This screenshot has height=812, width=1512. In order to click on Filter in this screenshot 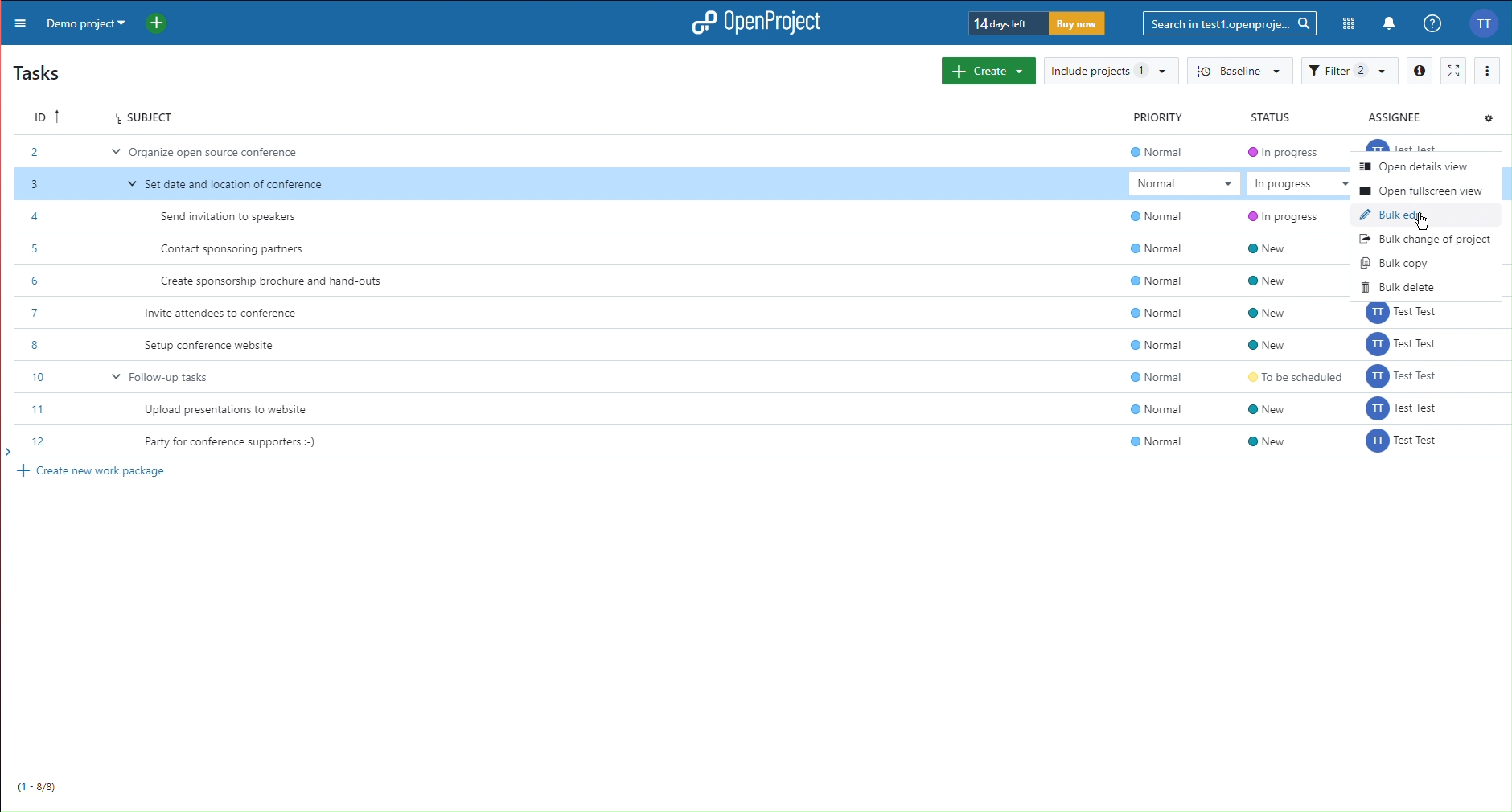, I will do `click(1349, 72)`.